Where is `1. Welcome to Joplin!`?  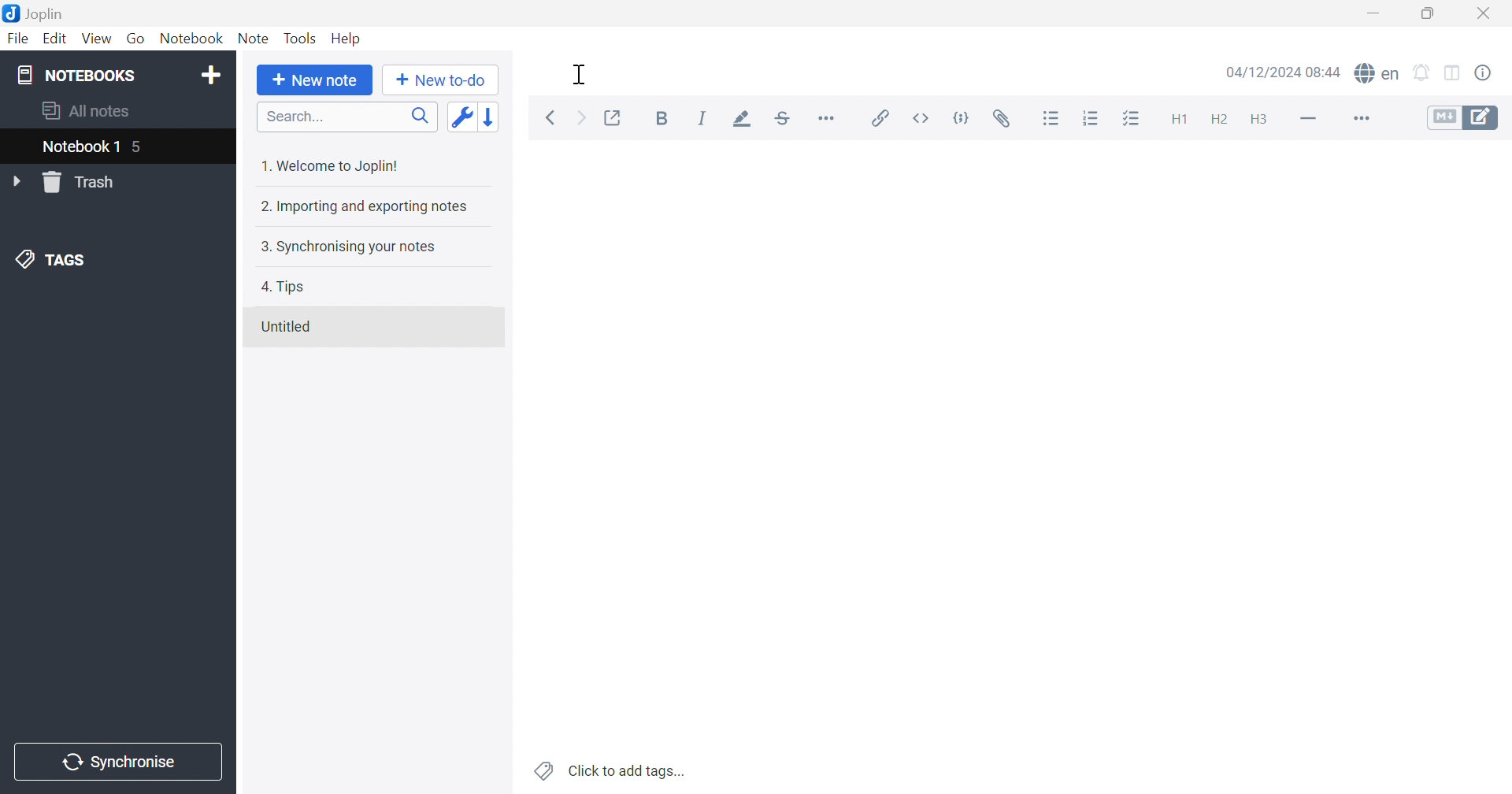 1. Welcome to Joplin! is located at coordinates (338, 163).